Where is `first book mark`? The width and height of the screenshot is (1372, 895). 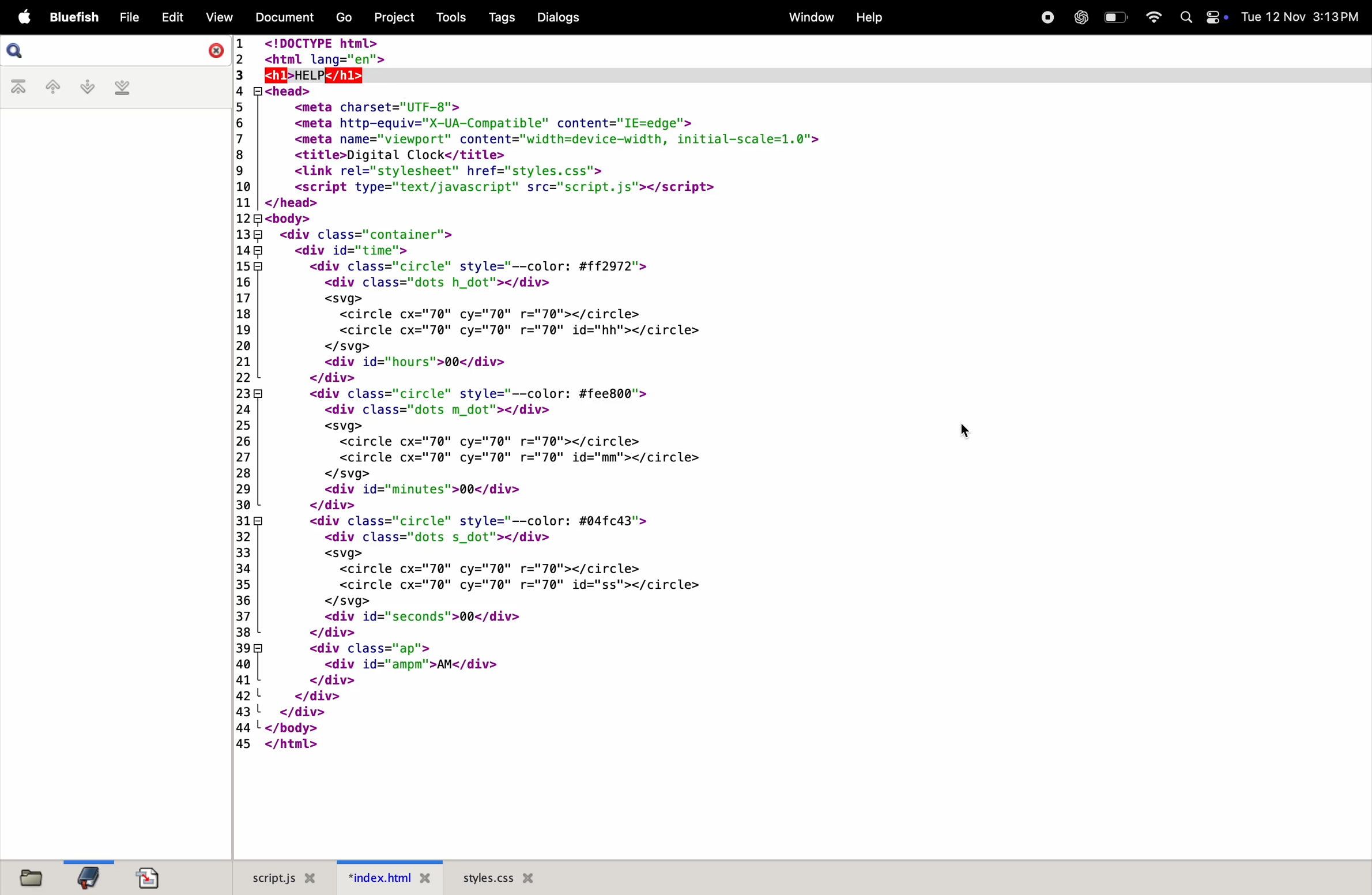 first book mark is located at coordinates (21, 88).